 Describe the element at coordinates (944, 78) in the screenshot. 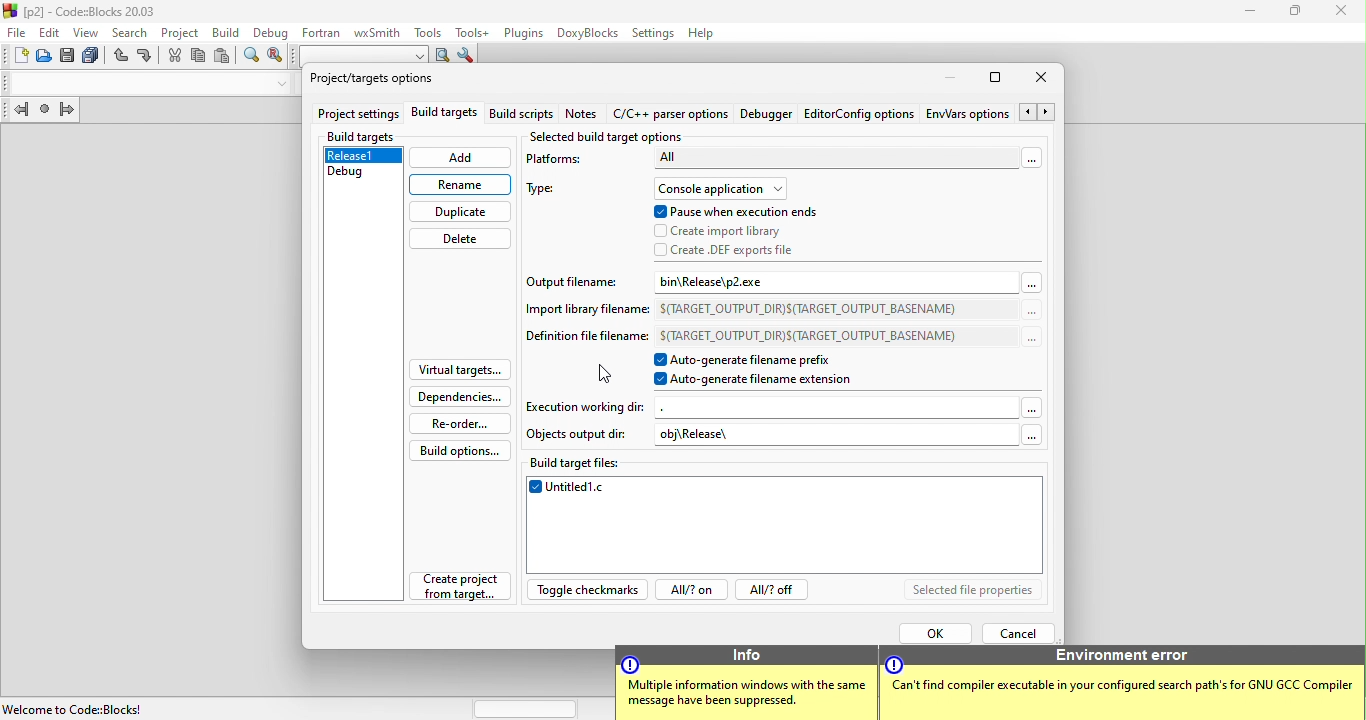

I see `minimize` at that location.